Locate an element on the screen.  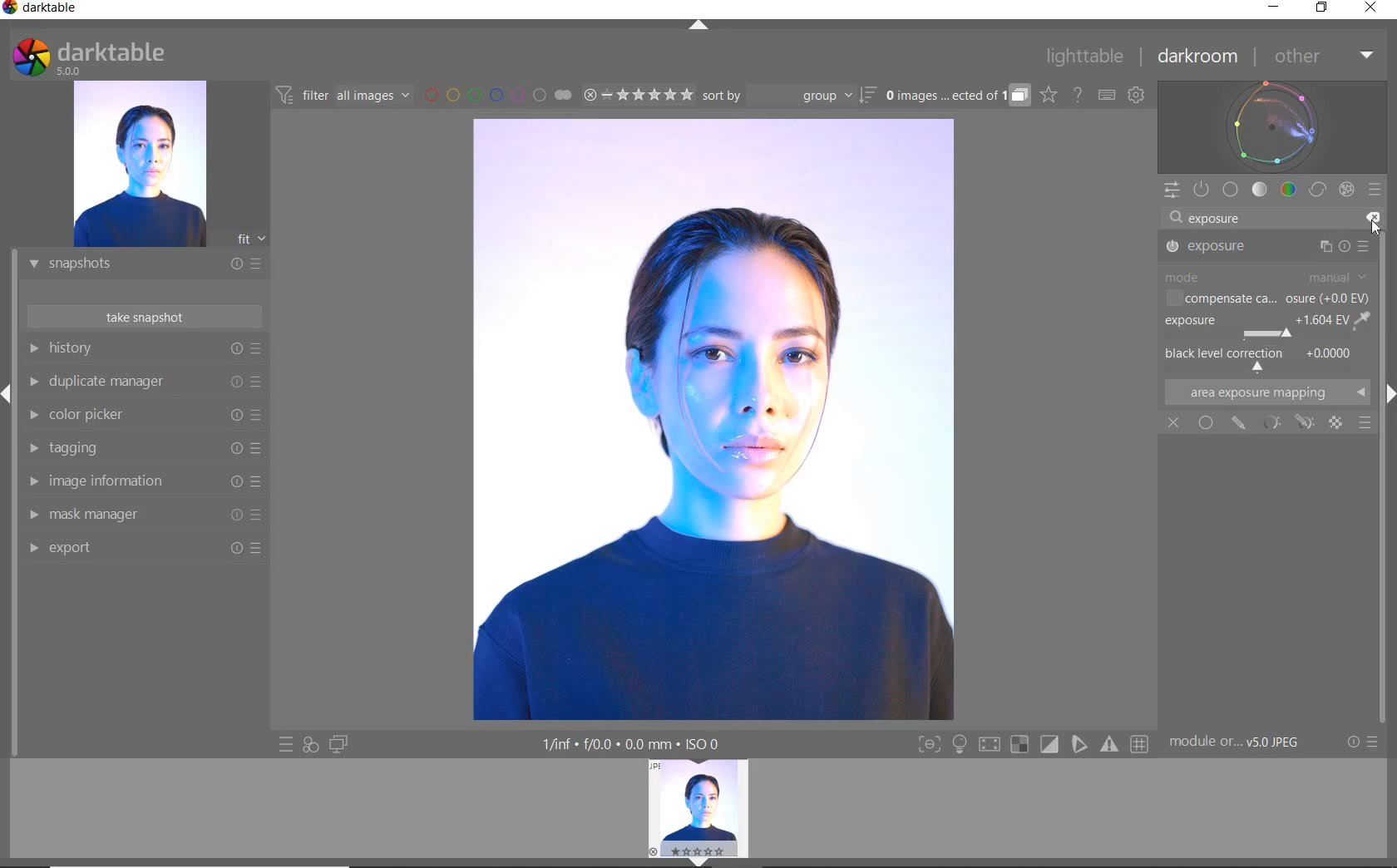
RANGE RATING OF SELECTED IMAGES is located at coordinates (637, 94).